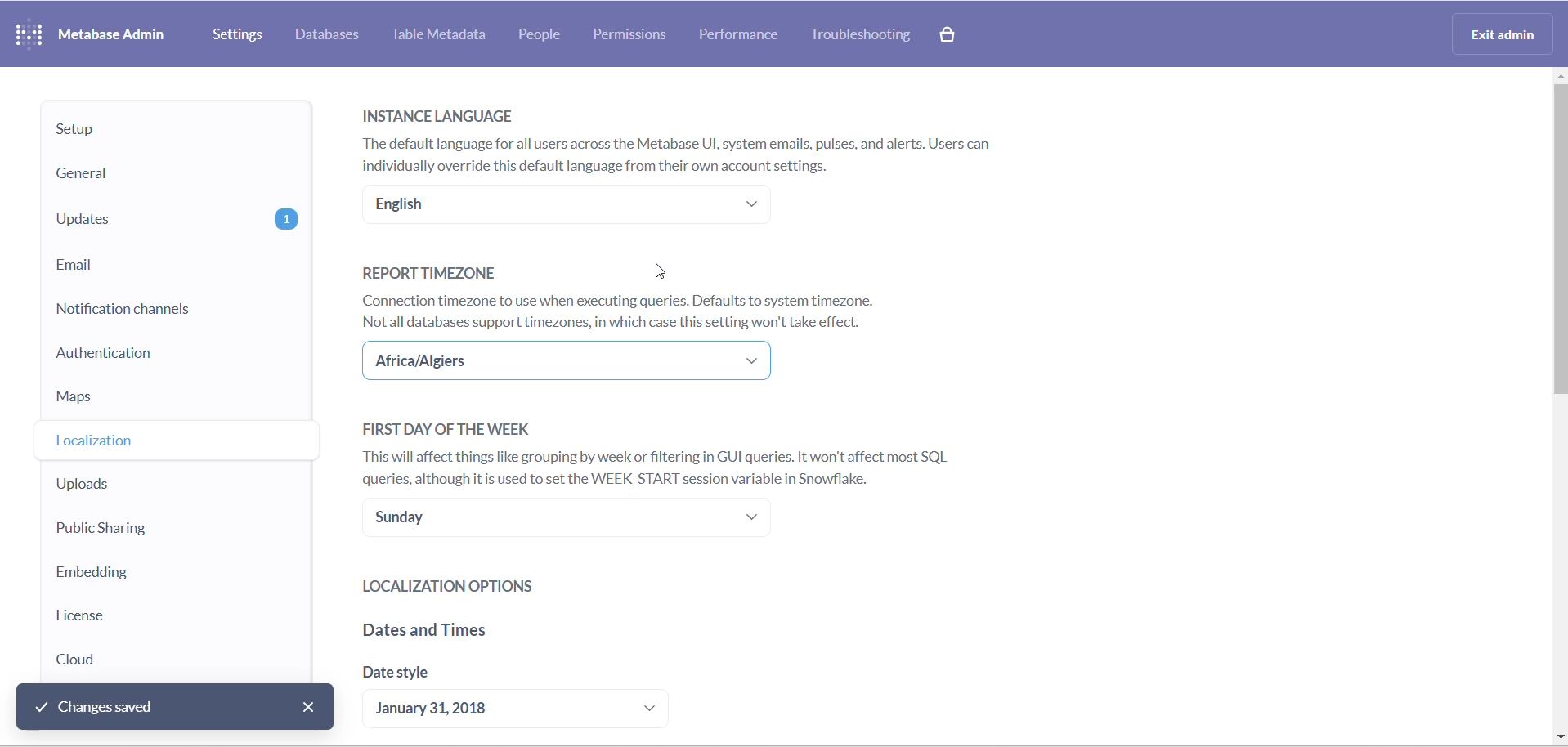  I want to click on EMBEDDDING, so click(142, 571).